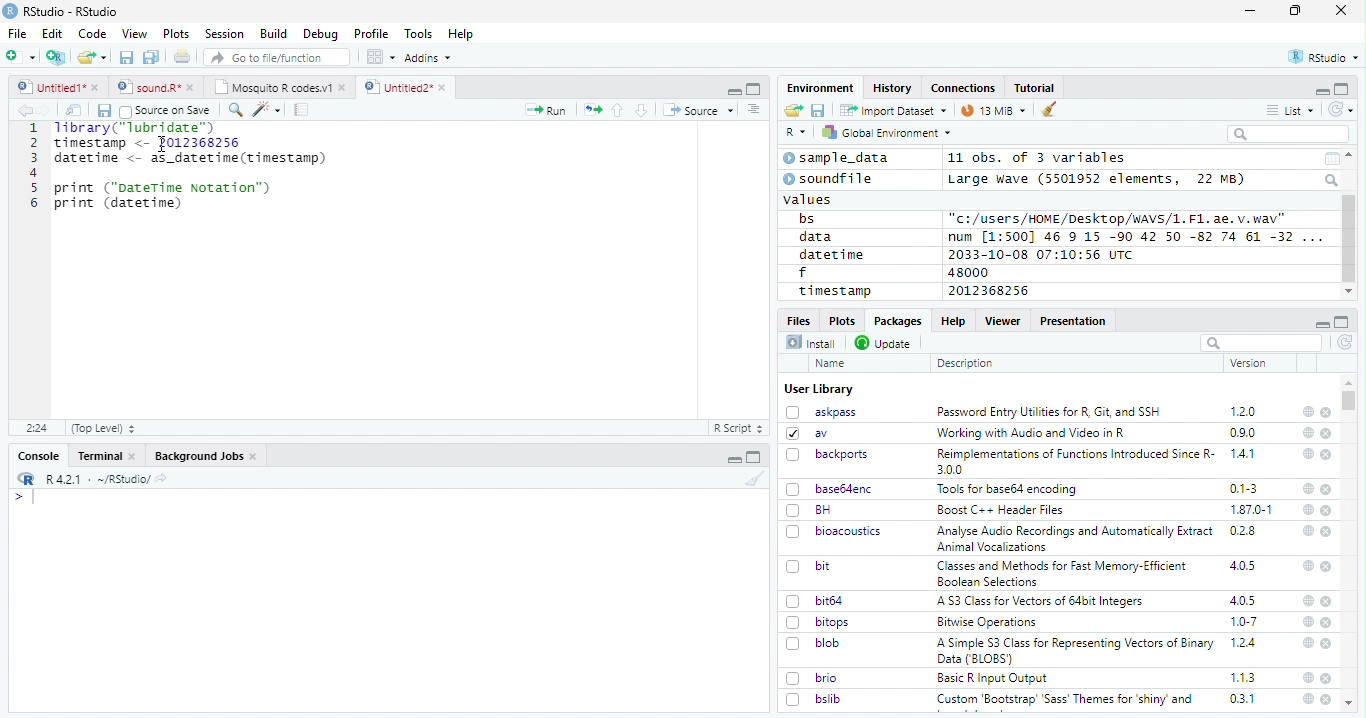 The image size is (1366, 718). Describe the element at coordinates (1350, 400) in the screenshot. I see `scroll bar` at that location.